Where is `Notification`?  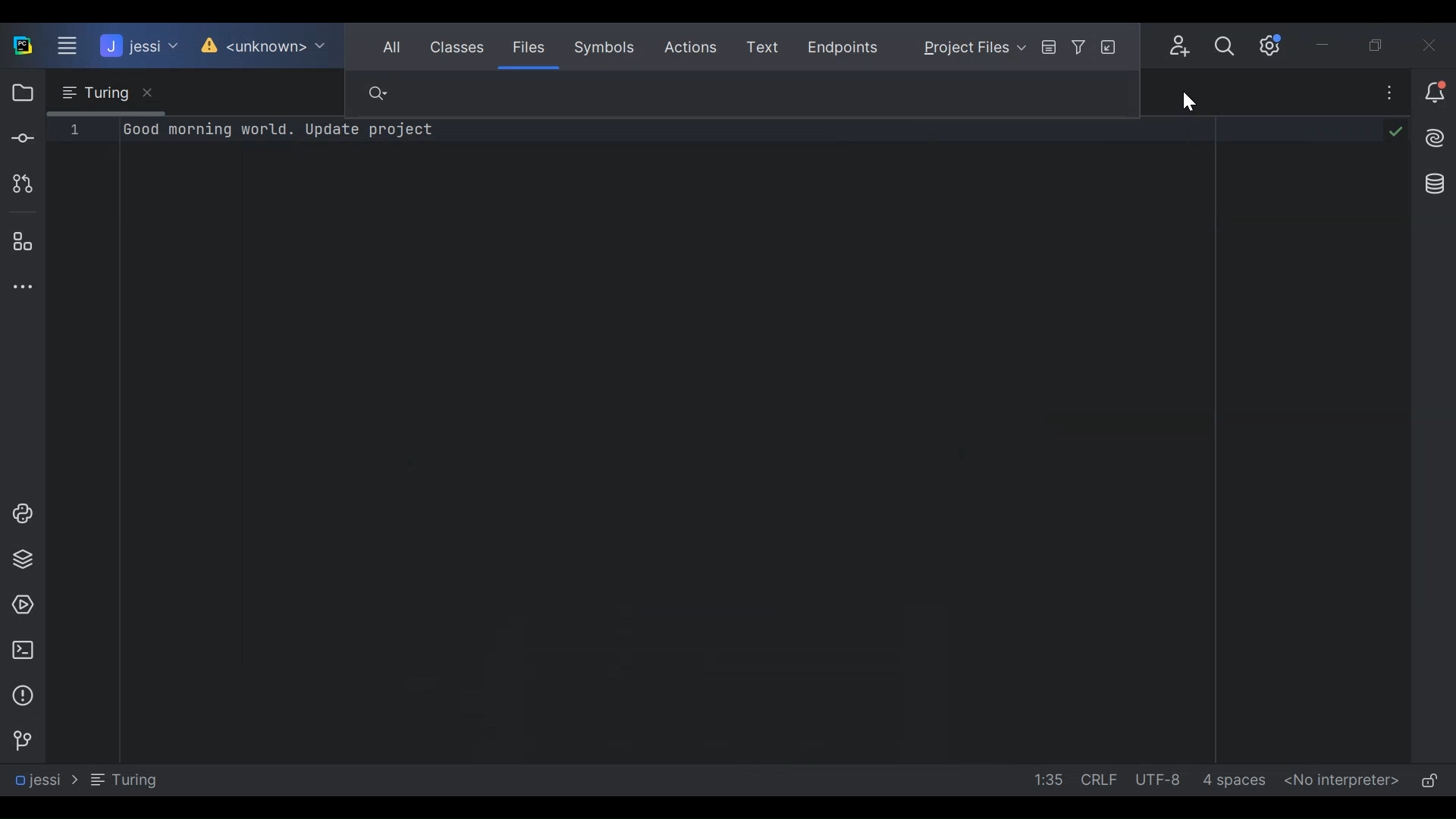 Notification is located at coordinates (1437, 91).